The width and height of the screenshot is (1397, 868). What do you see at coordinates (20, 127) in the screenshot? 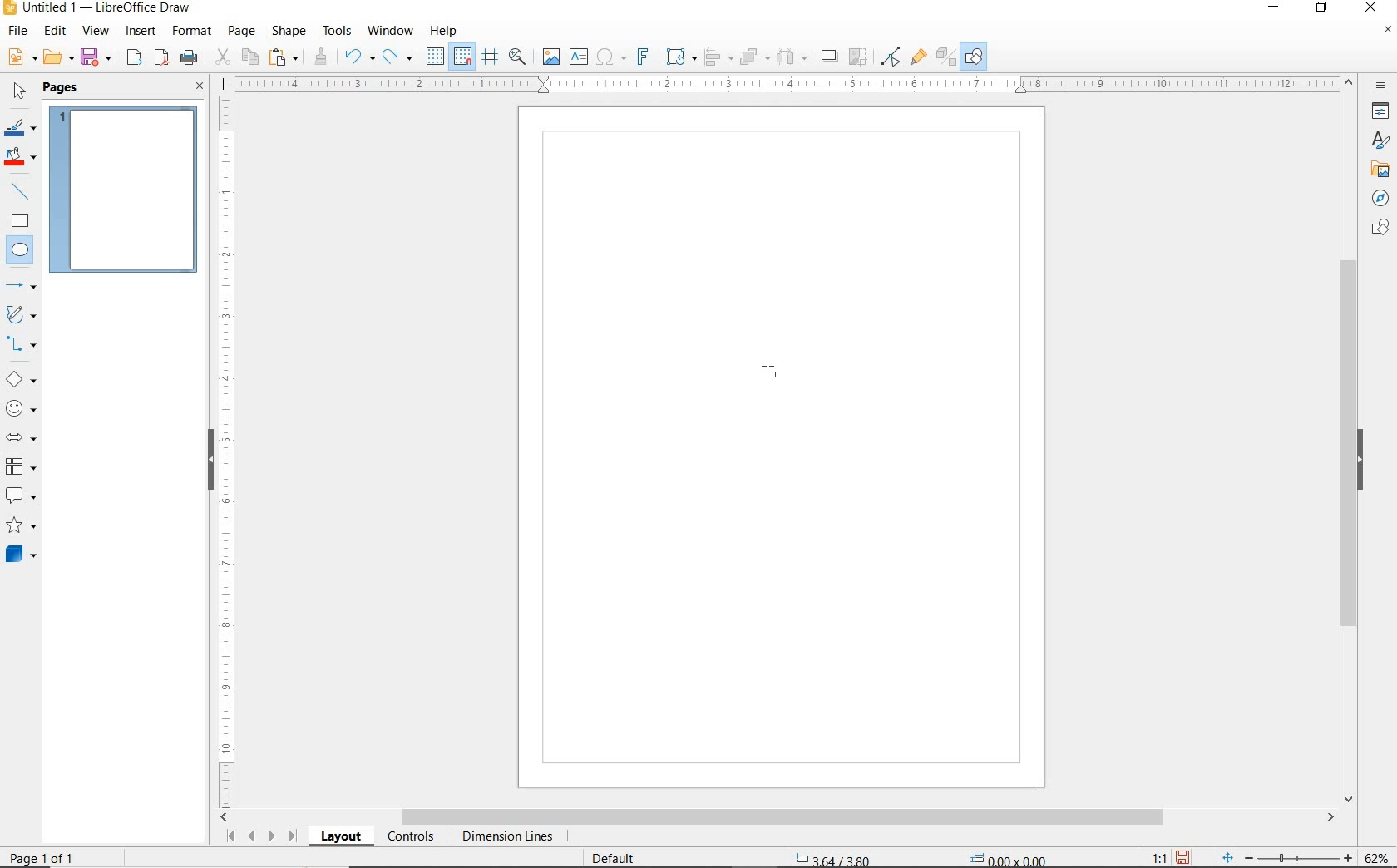
I see `LINE COLOR` at bounding box center [20, 127].